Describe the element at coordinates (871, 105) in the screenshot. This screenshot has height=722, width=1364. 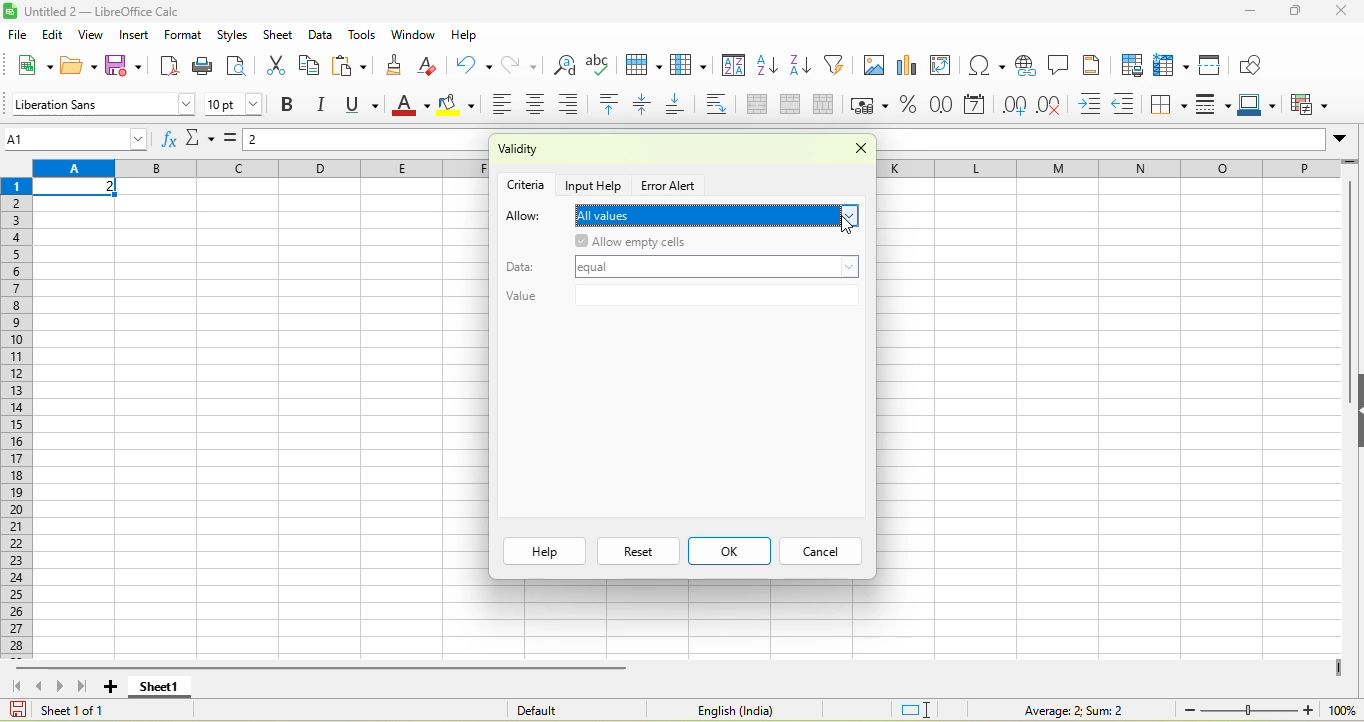
I see `format as currency` at that location.